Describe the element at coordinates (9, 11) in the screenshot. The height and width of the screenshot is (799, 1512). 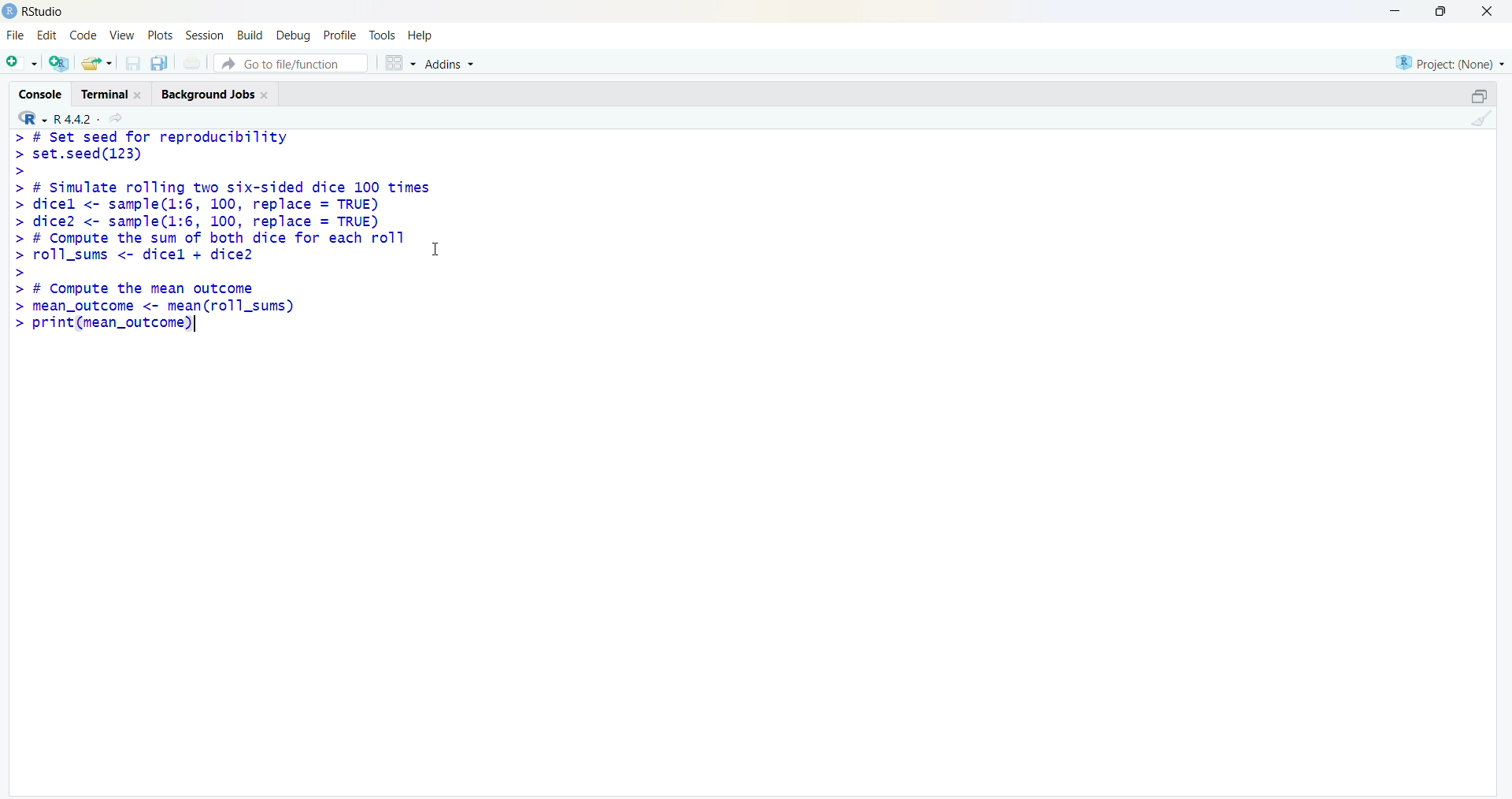
I see `logo` at that location.